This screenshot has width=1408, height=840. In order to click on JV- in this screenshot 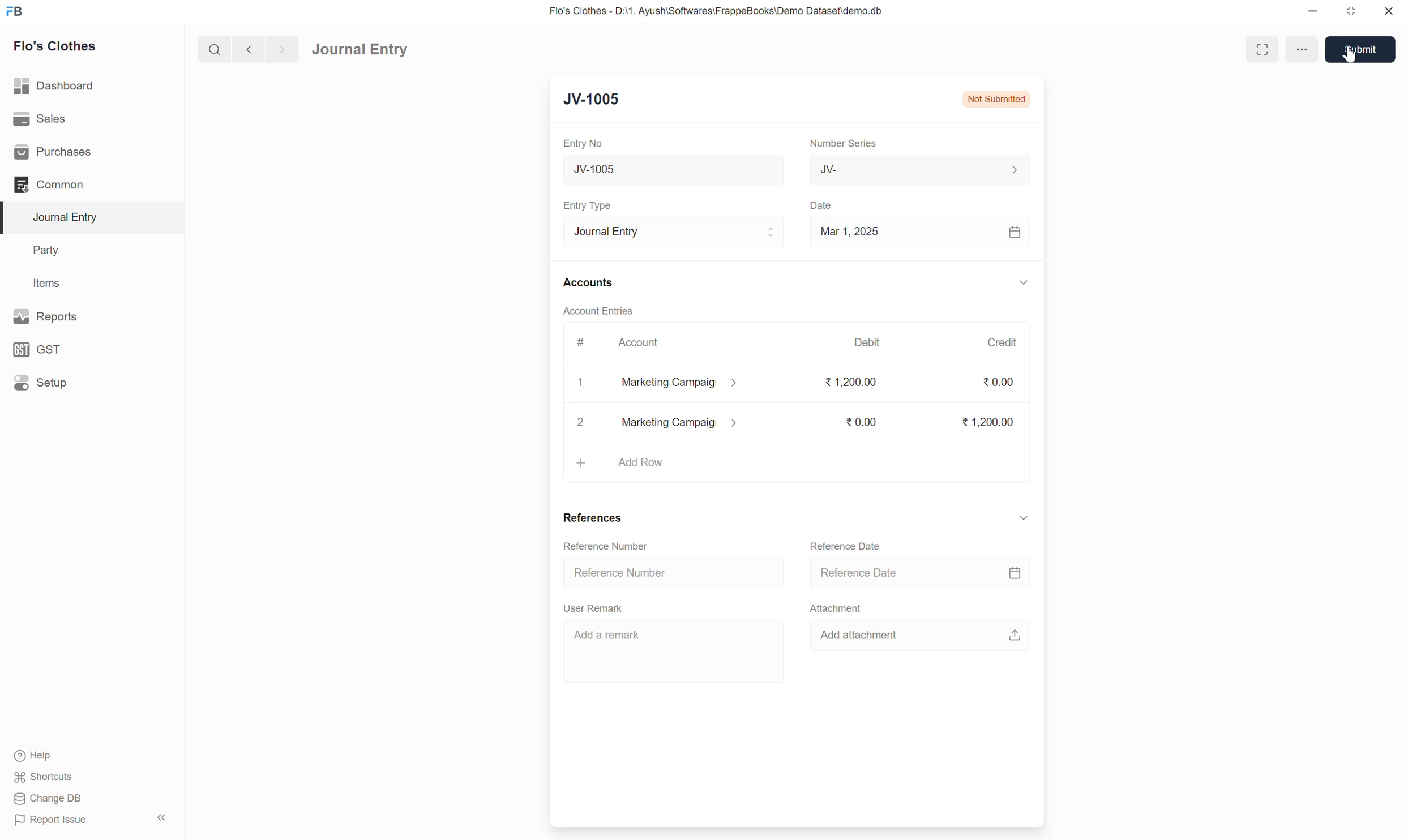, I will do `click(921, 169)`.